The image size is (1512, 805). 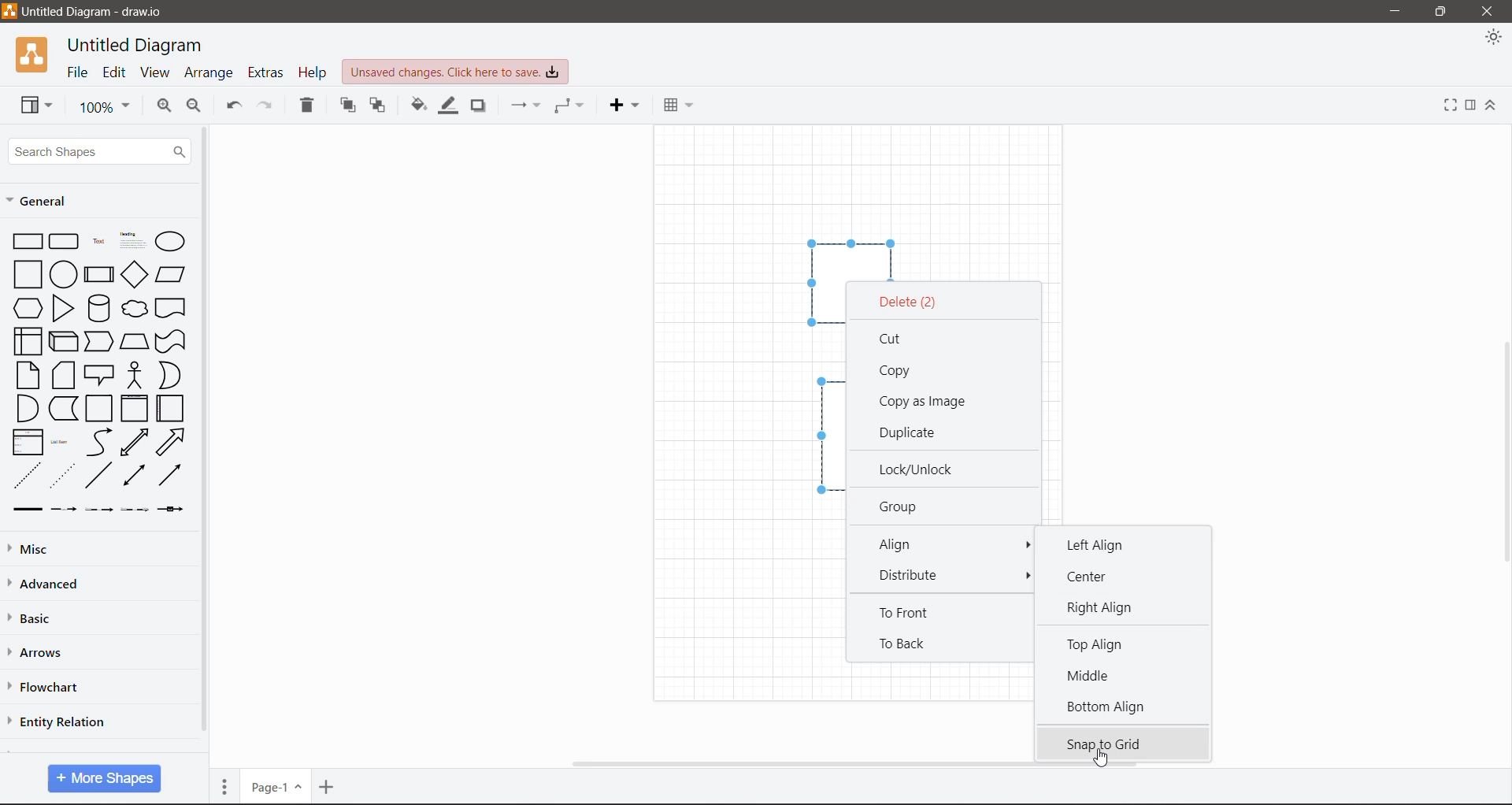 I want to click on Unsaved Changes. Click here to save, so click(x=455, y=73).